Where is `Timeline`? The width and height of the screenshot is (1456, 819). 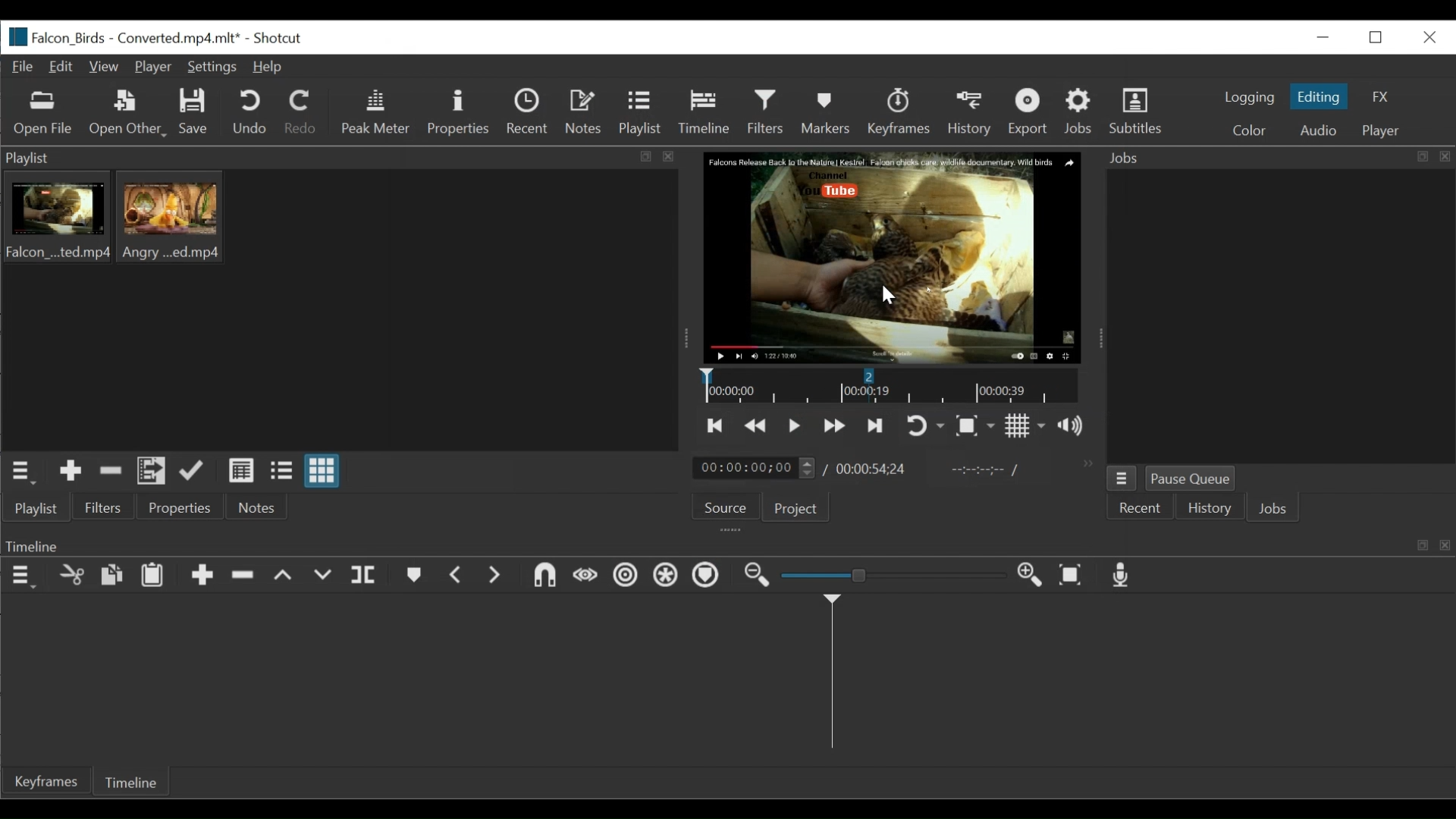
Timeline is located at coordinates (704, 112).